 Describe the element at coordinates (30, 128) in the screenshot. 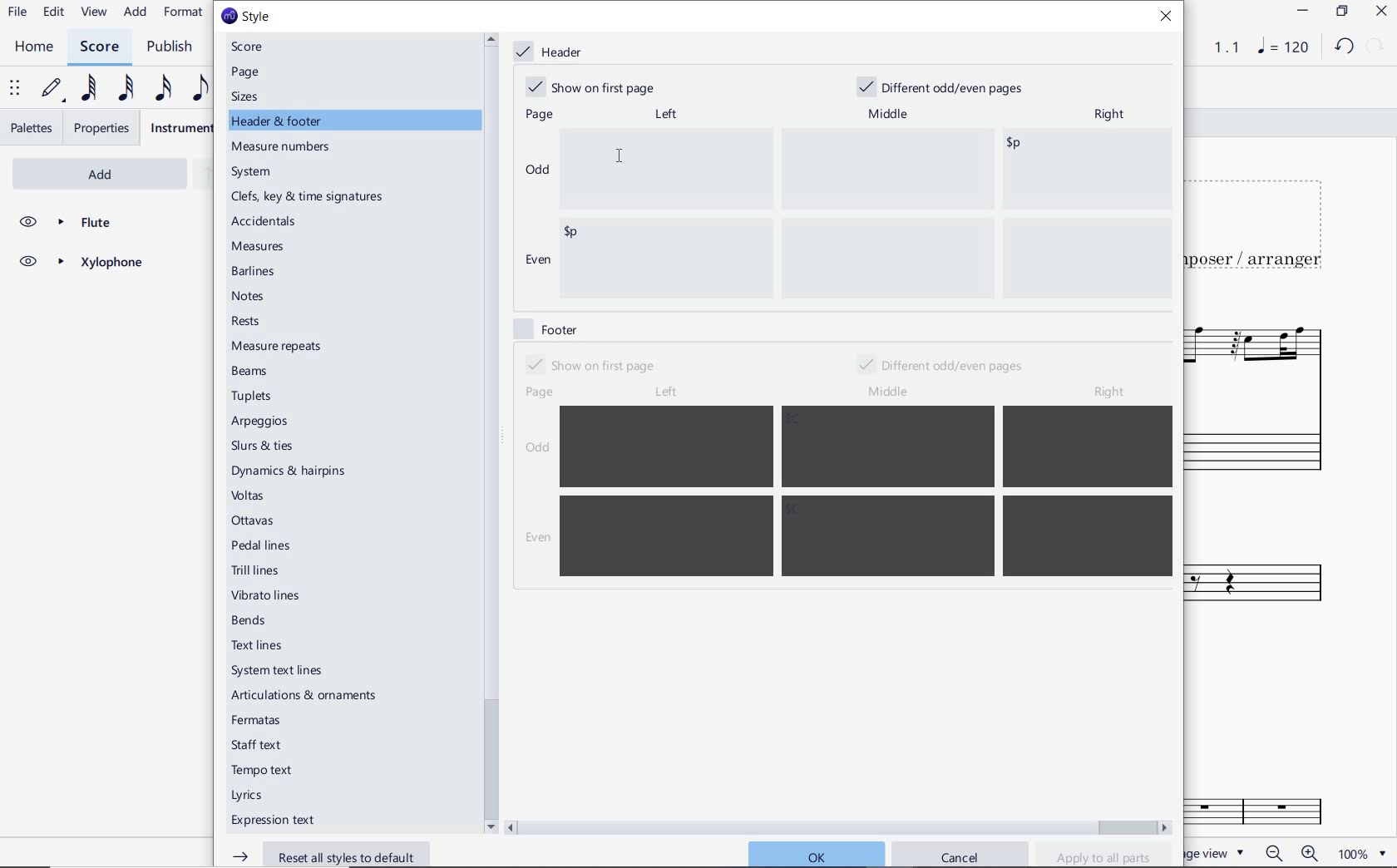

I see `PALETTES` at that location.